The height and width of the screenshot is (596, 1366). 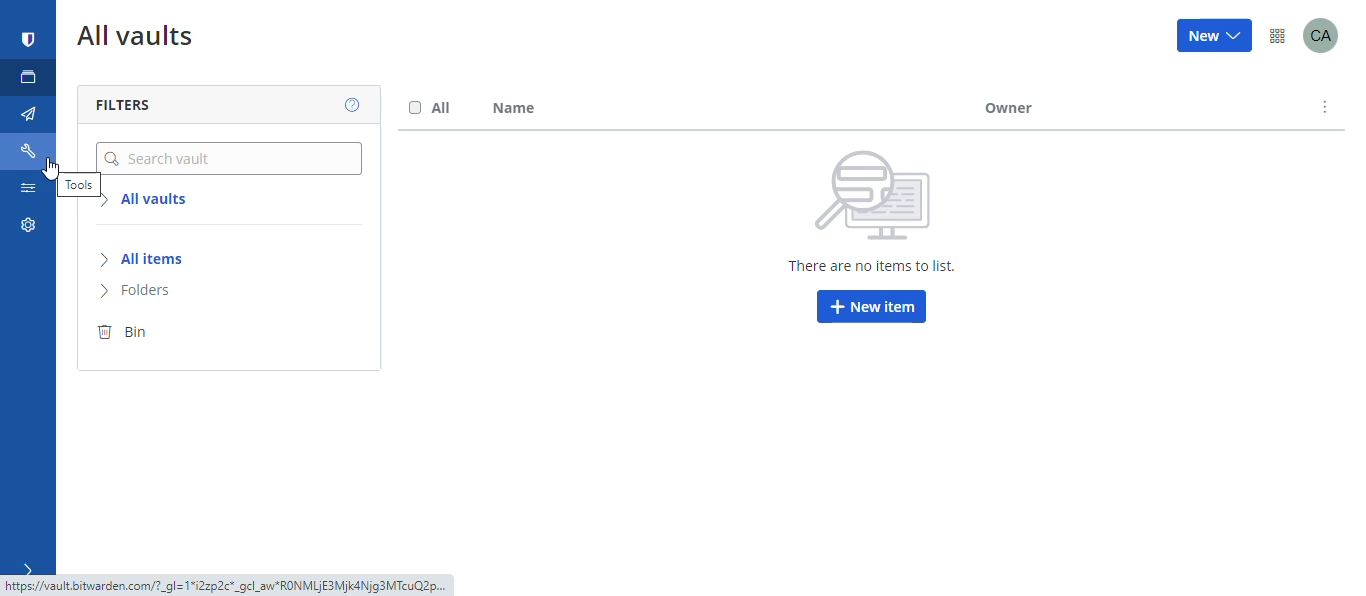 What do you see at coordinates (1216, 37) in the screenshot?
I see `new` at bounding box center [1216, 37].